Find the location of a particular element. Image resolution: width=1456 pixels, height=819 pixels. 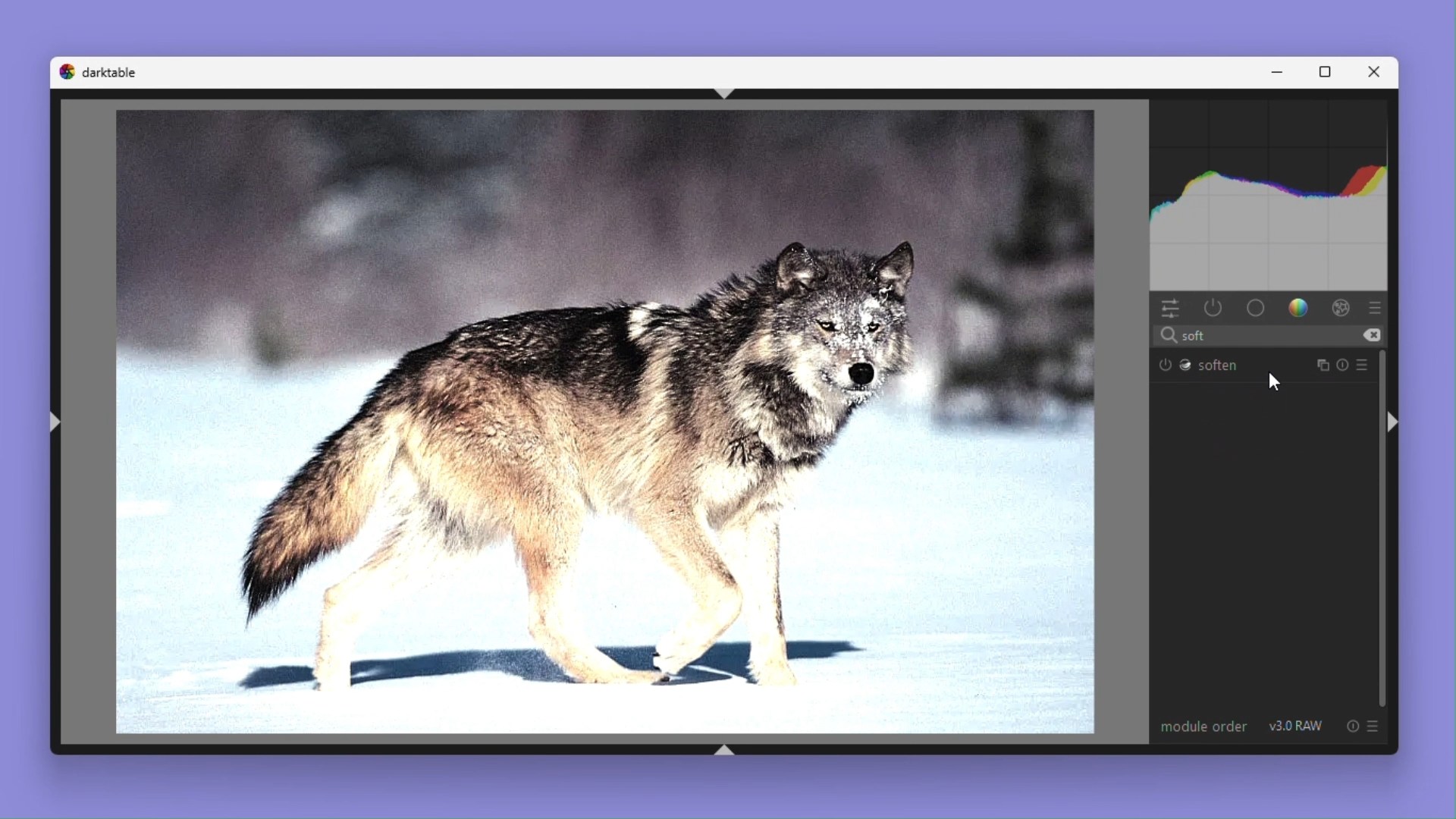

reset option is located at coordinates (1348, 726).